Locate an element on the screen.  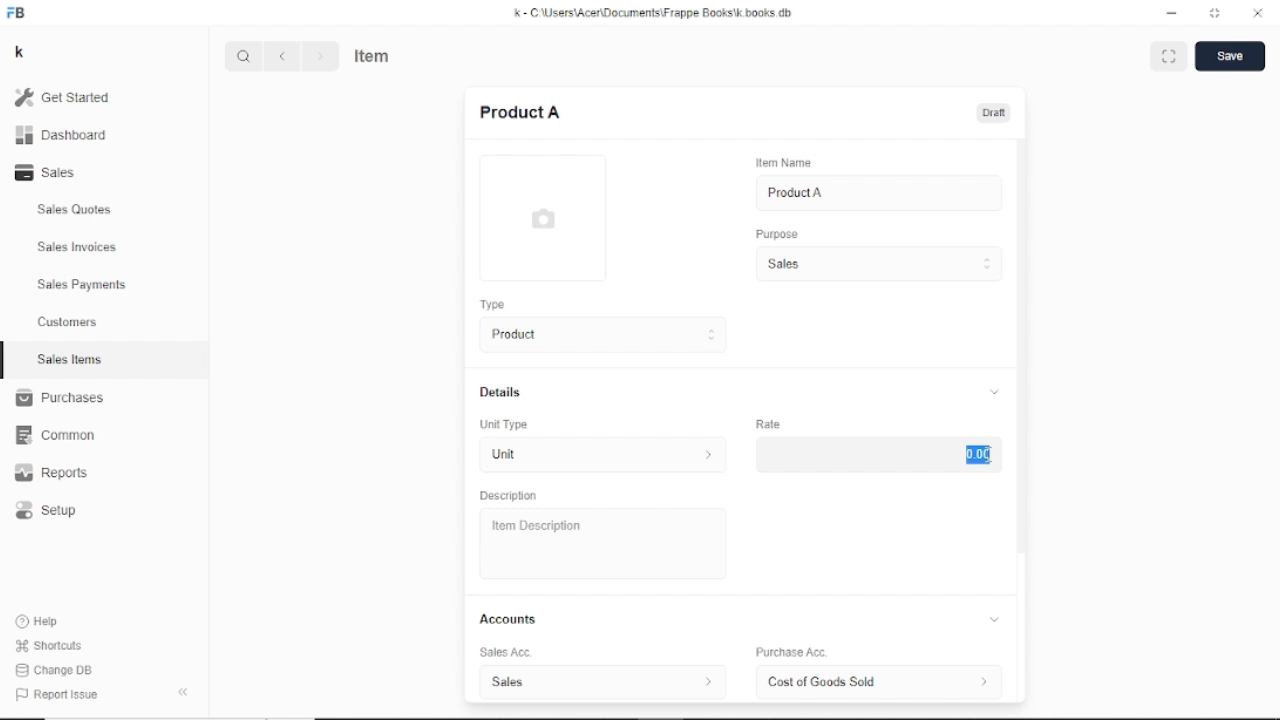
Get started is located at coordinates (71, 97).